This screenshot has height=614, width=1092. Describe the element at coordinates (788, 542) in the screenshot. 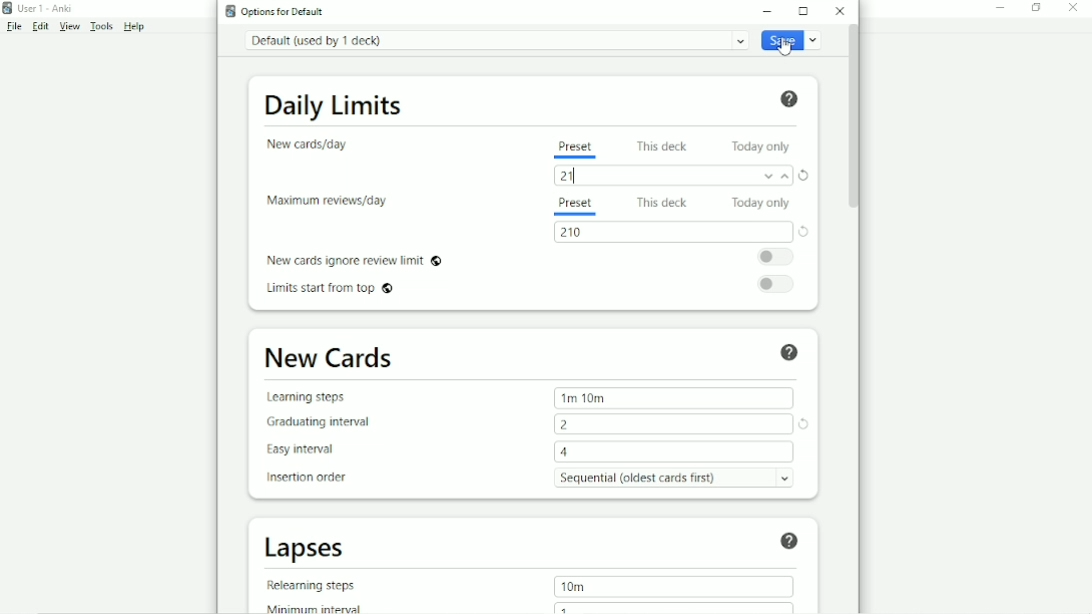

I see `Help` at that location.